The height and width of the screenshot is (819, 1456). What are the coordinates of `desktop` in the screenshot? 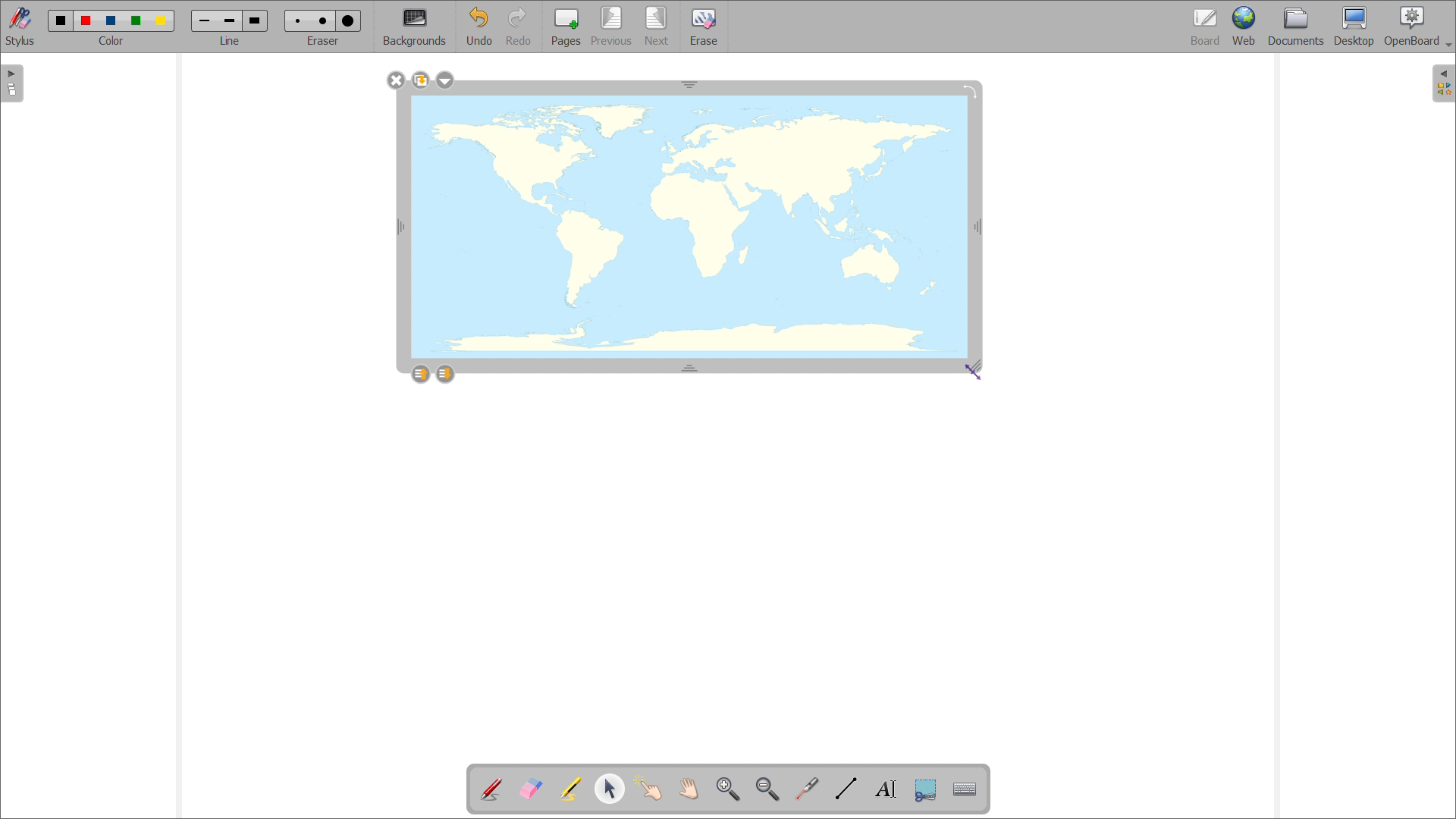 It's located at (1354, 27).